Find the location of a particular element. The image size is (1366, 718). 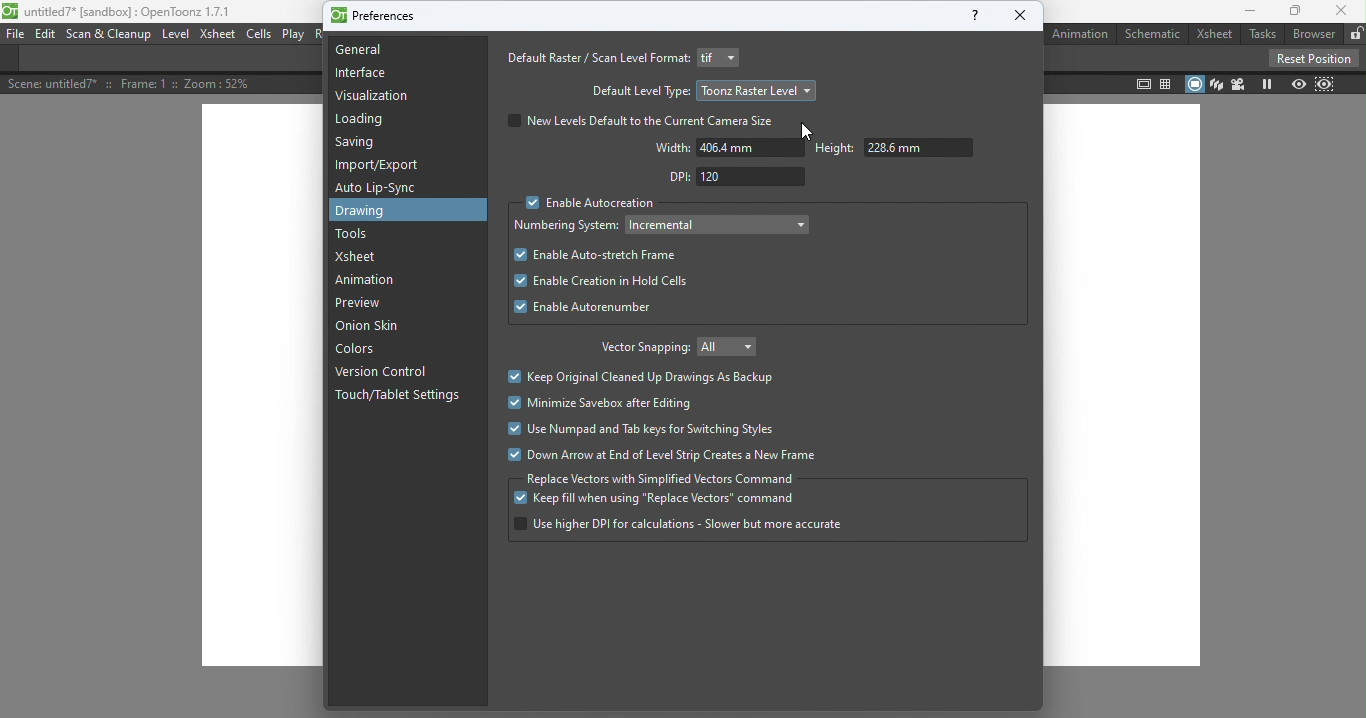

Tools is located at coordinates (357, 236).